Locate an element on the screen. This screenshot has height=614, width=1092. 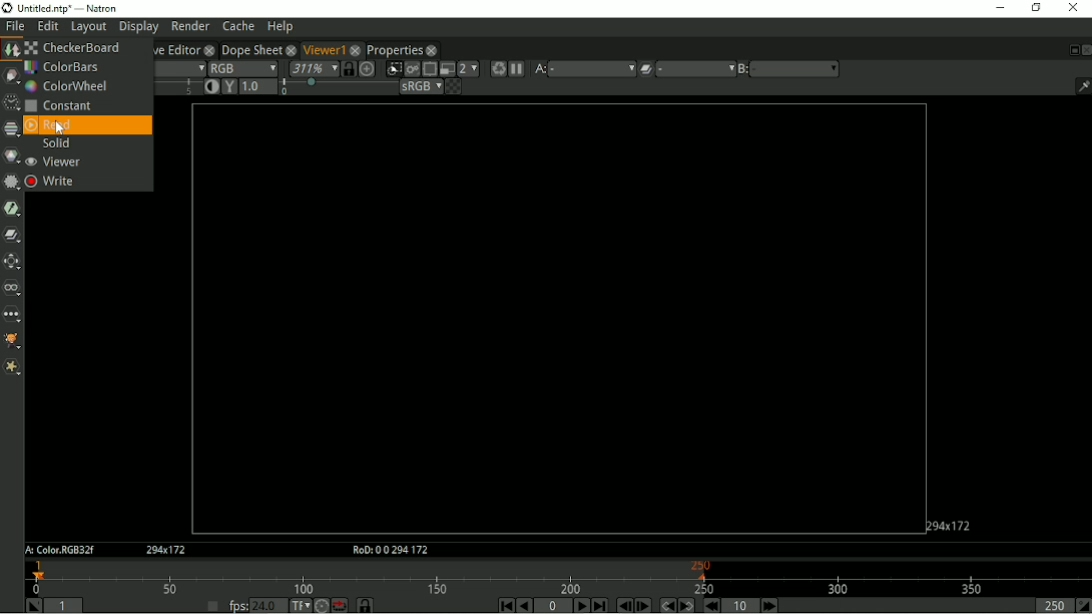
Proxy mode is located at coordinates (446, 69).